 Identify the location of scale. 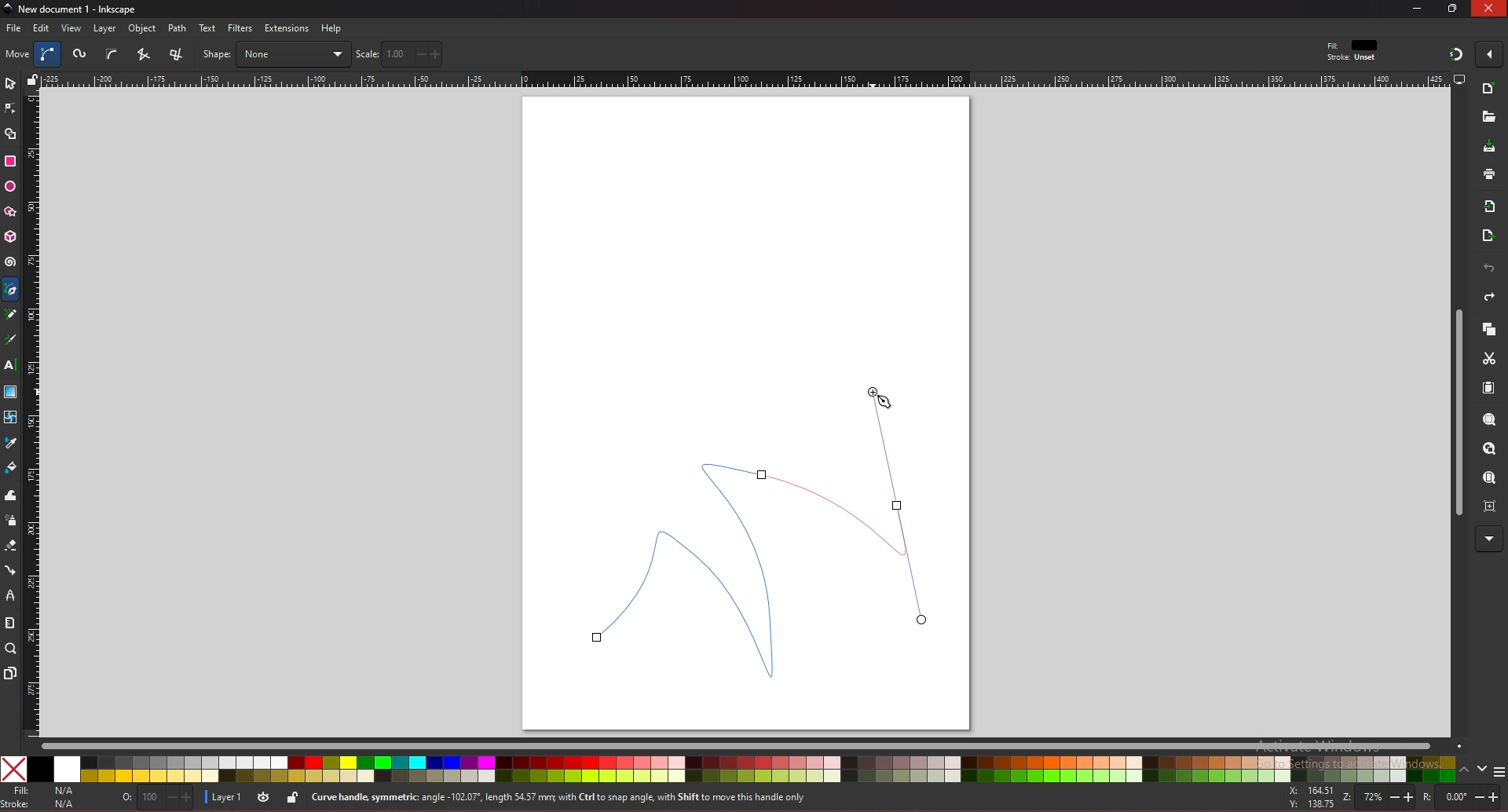
(399, 53).